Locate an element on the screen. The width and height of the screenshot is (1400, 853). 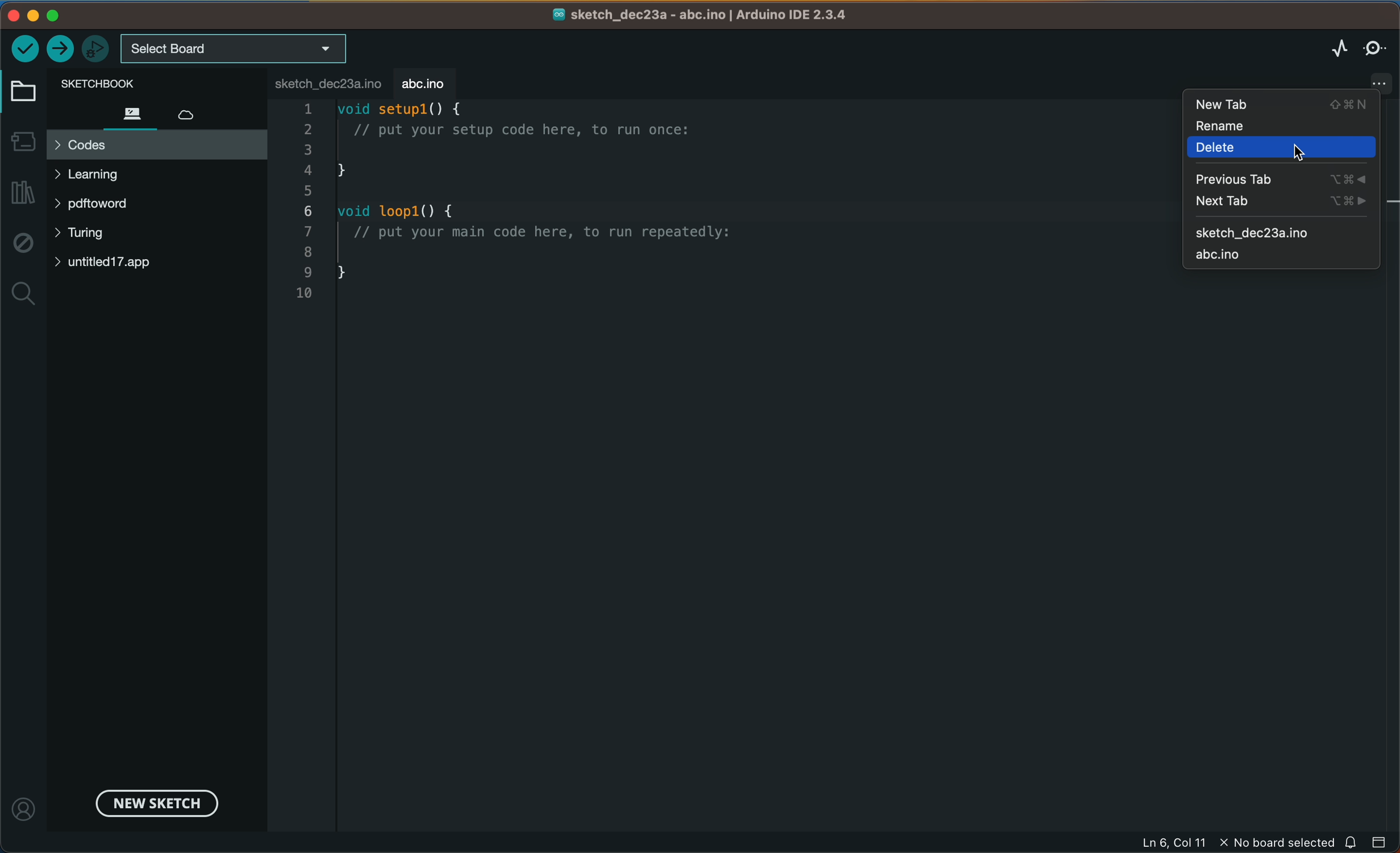
abc is located at coordinates (1274, 255).